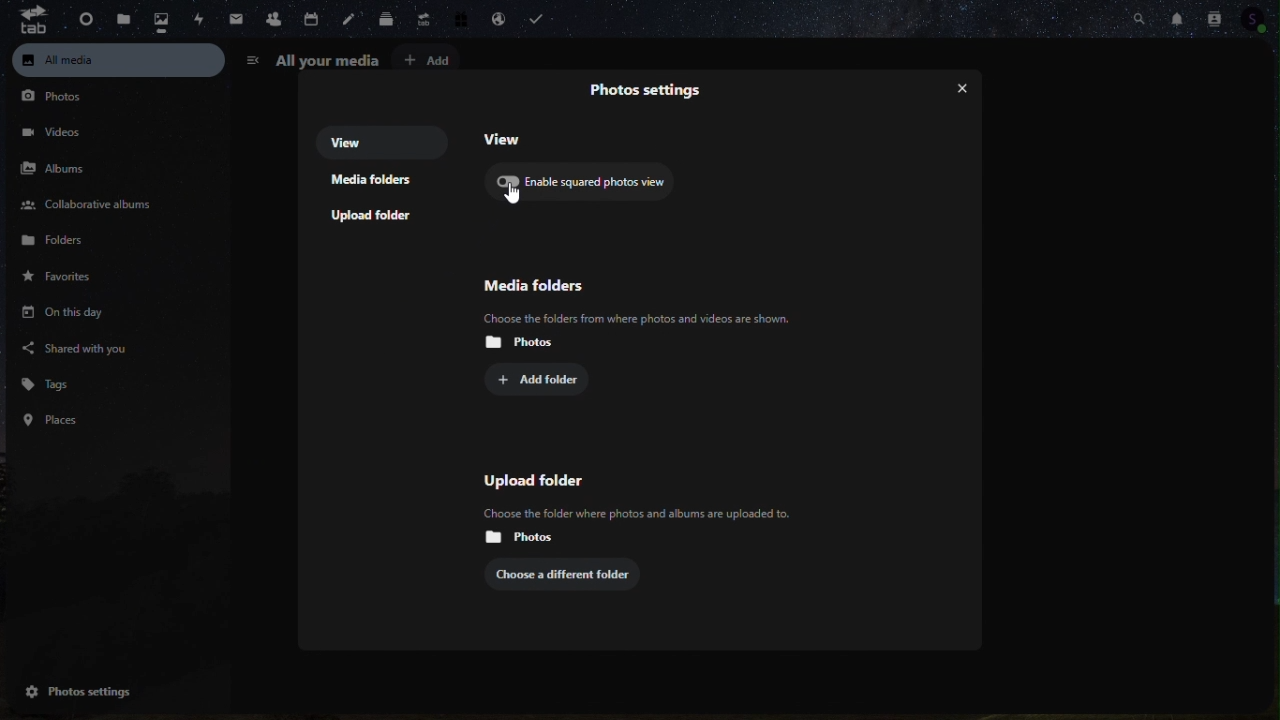 The height and width of the screenshot is (720, 1280). Describe the element at coordinates (197, 17) in the screenshot. I see `activity` at that location.